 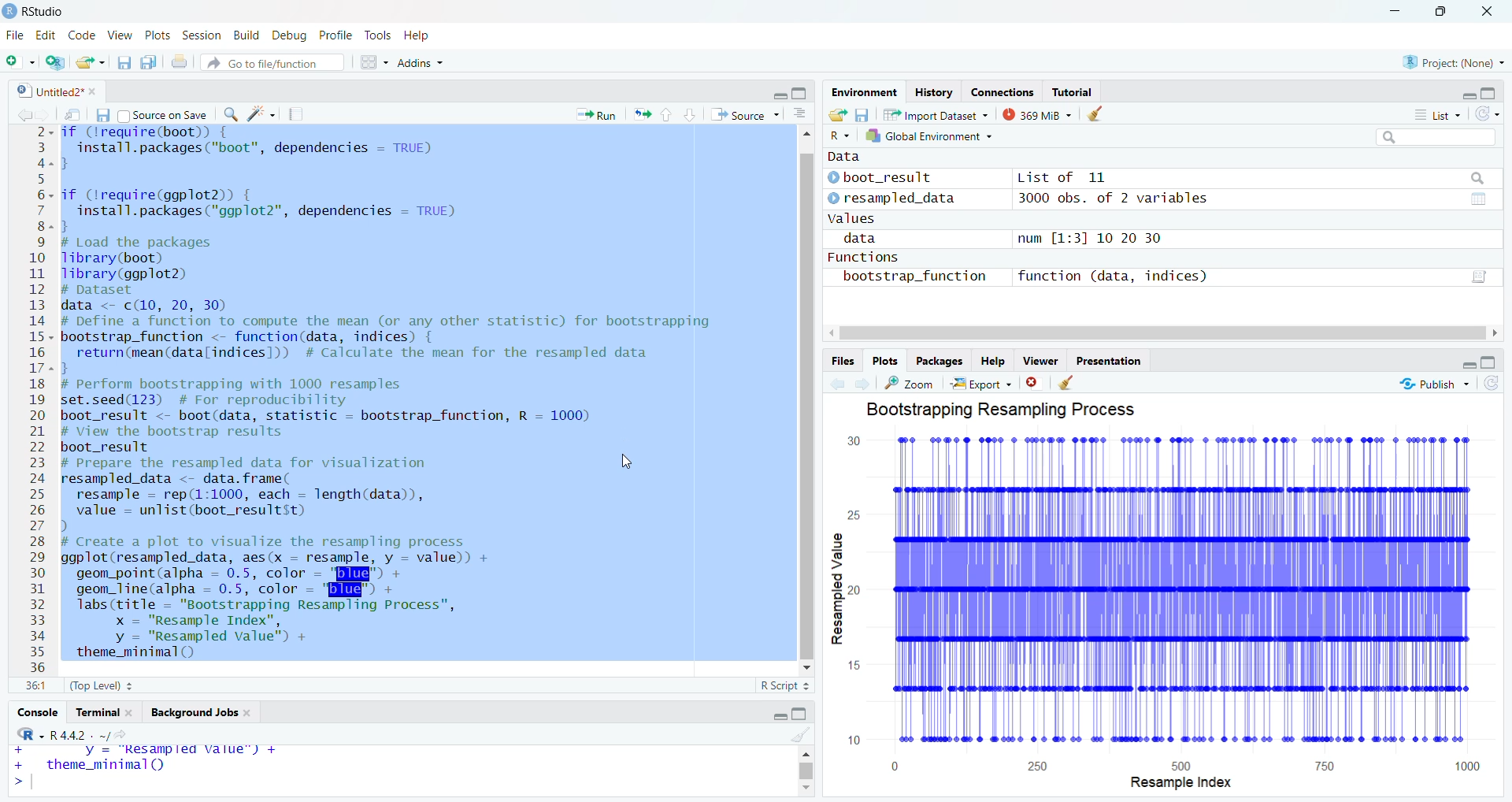 I want to click on boot_result, so click(x=910, y=176).